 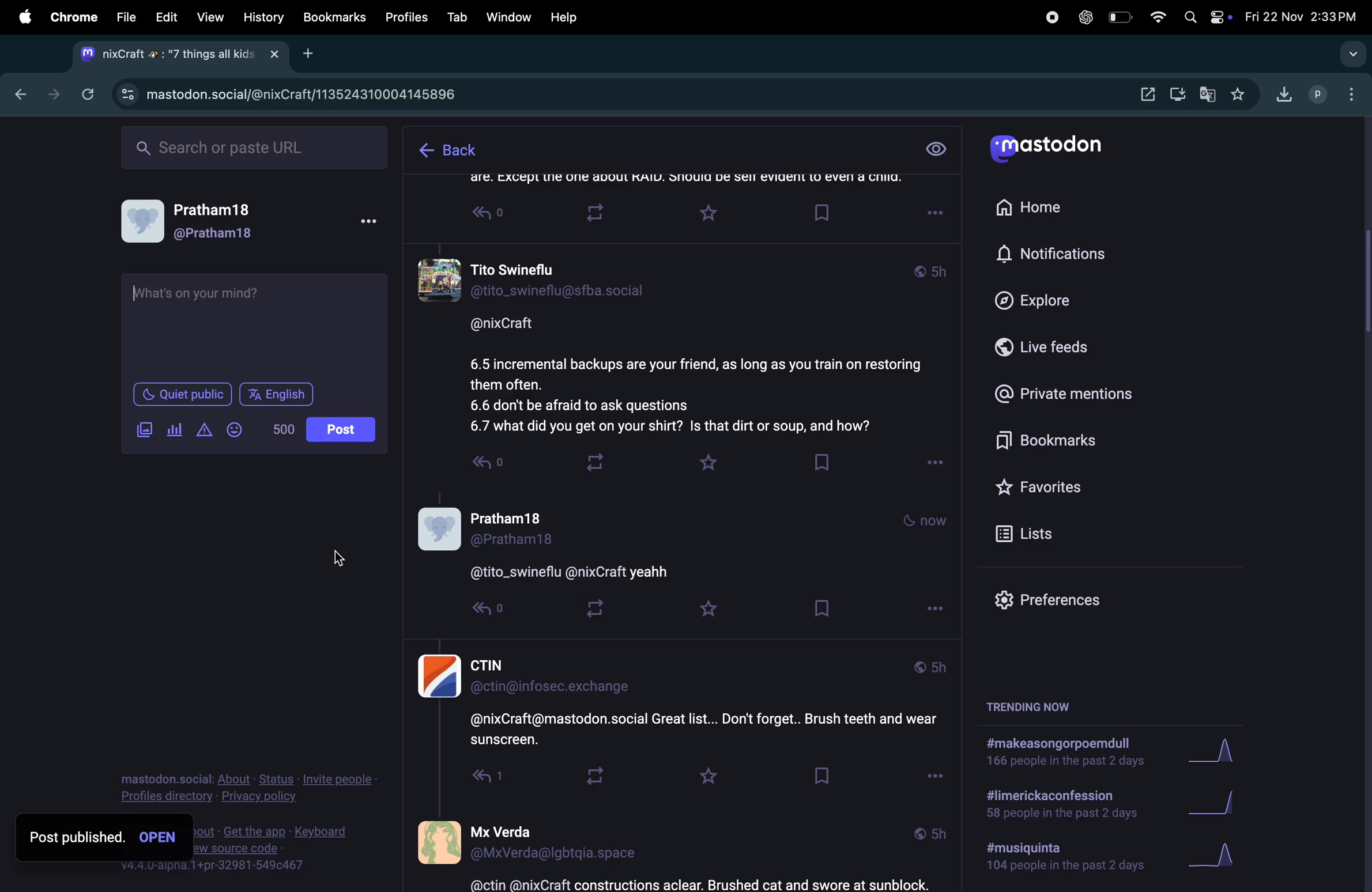 What do you see at coordinates (1304, 14) in the screenshot?
I see `date and time` at bounding box center [1304, 14].